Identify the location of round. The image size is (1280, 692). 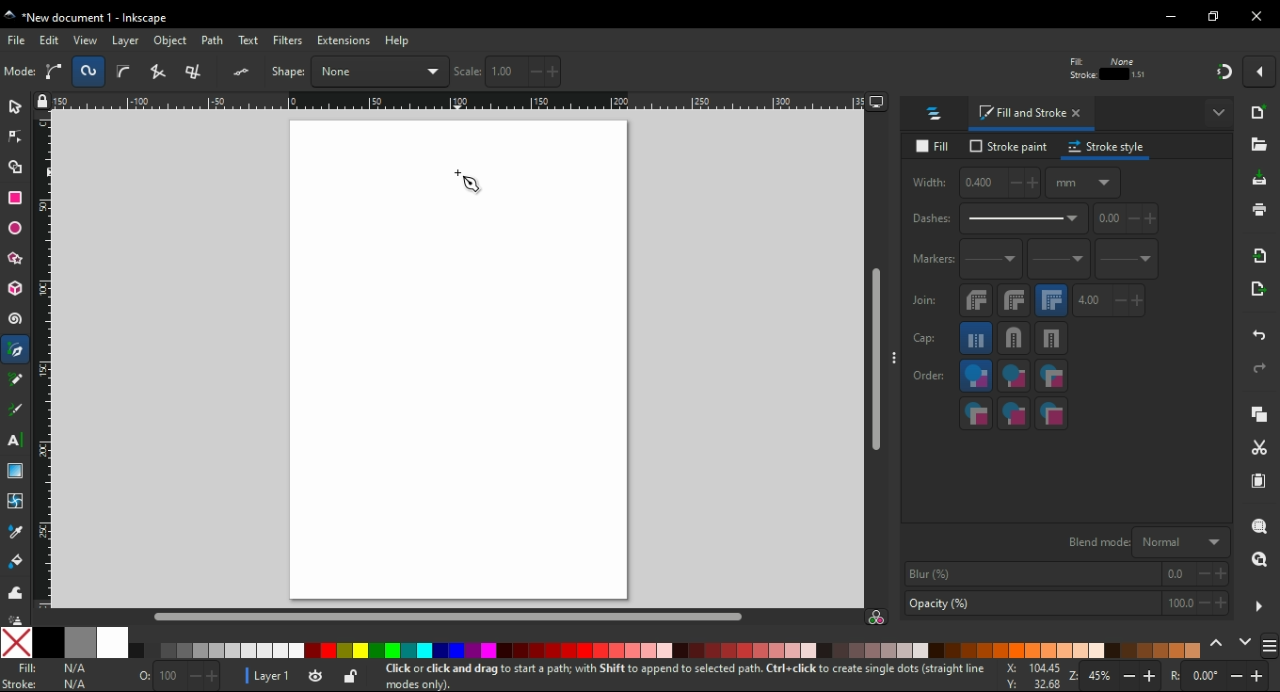
(1014, 300).